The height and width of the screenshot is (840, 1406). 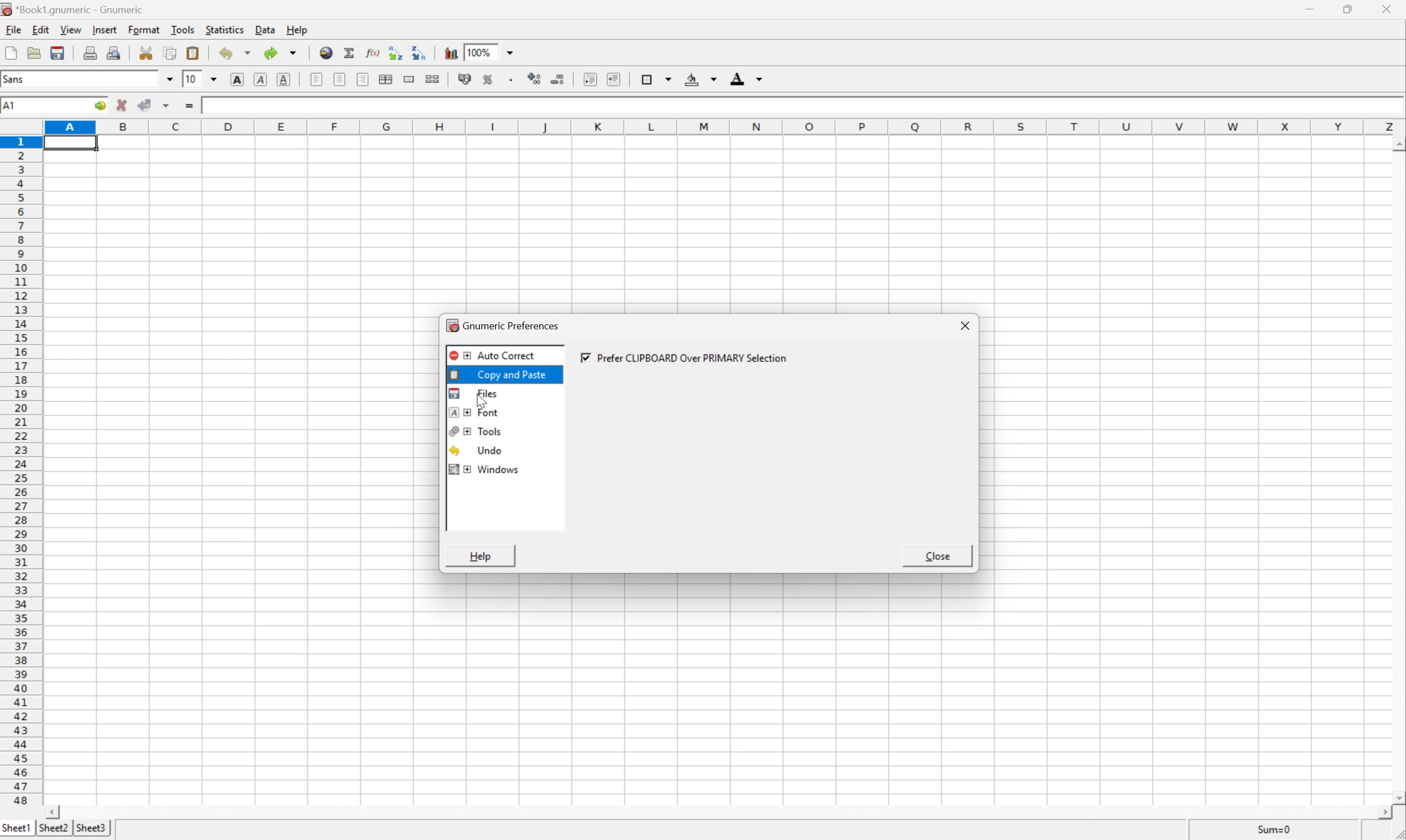 What do you see at coordinates (52, 832) in the screenshot?
I see `sheet2` at bounding box center [52, 832].